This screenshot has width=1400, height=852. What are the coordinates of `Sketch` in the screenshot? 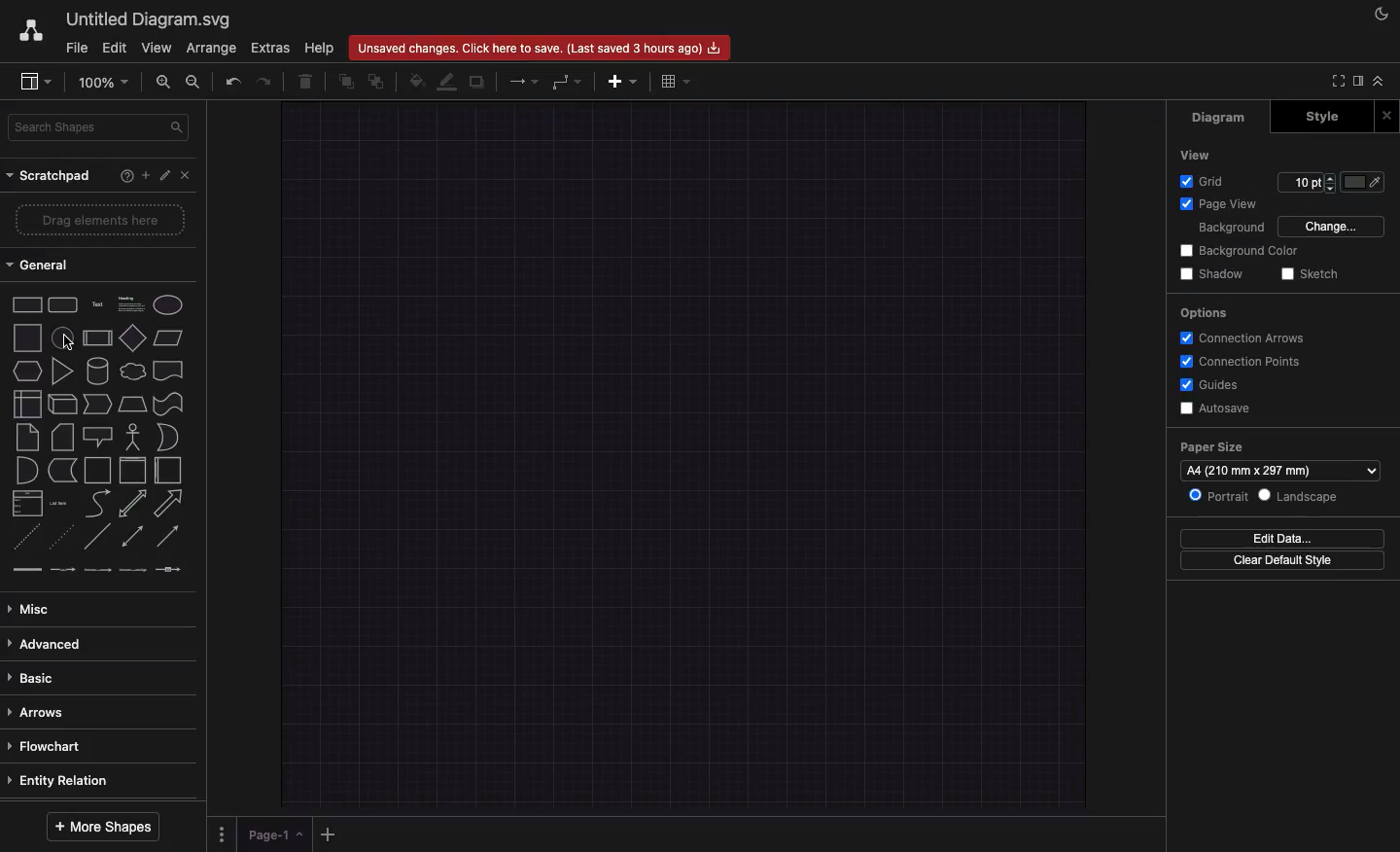 It's located at (1312, 274).